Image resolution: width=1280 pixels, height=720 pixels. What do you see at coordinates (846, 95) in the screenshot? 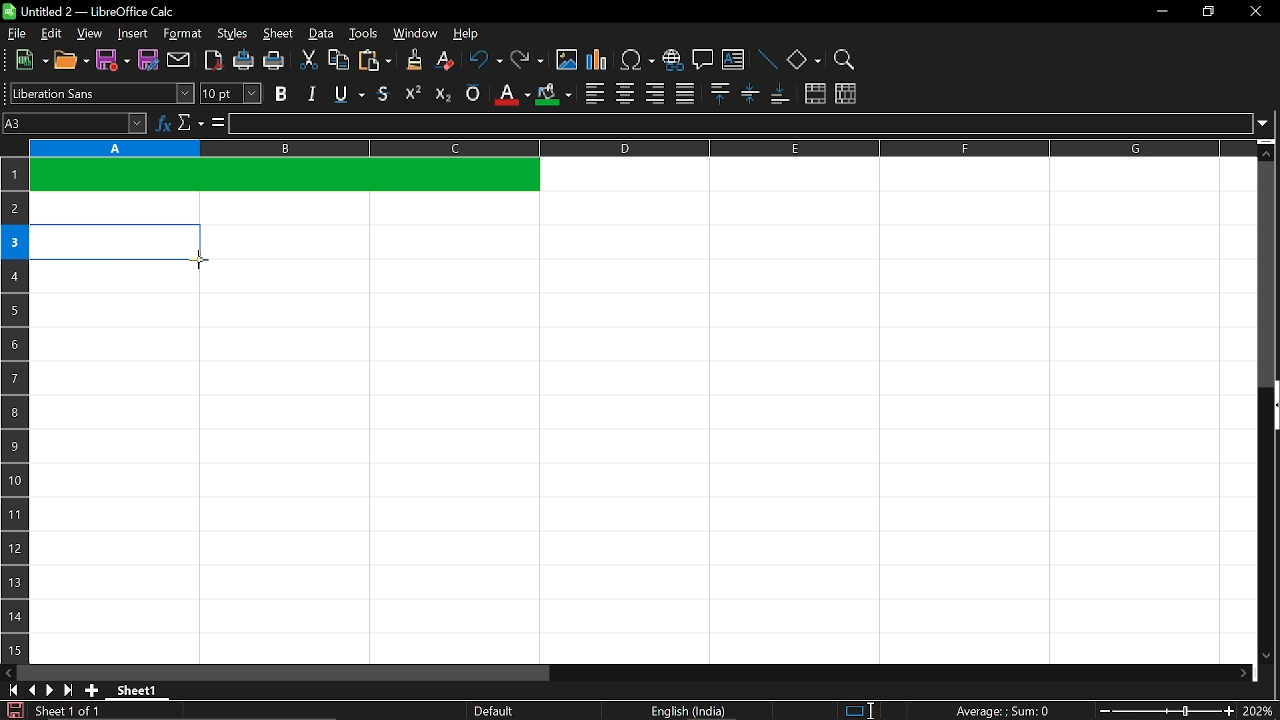
I see `unmerge cells` at bounding box center [846, 95].